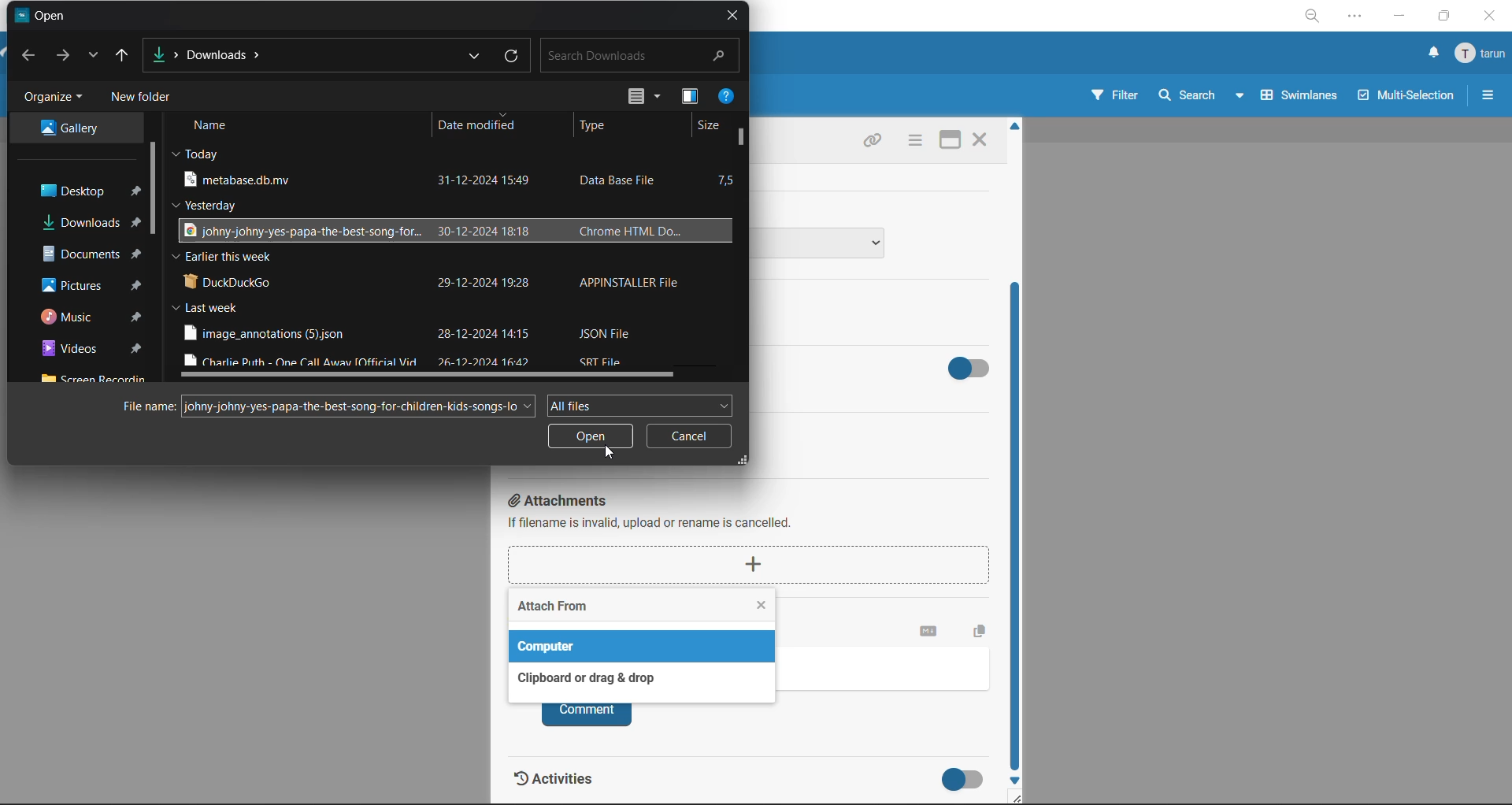 The height and width of the screenshot is (805, 1512). I want to click on menu, so click(1479, 57).